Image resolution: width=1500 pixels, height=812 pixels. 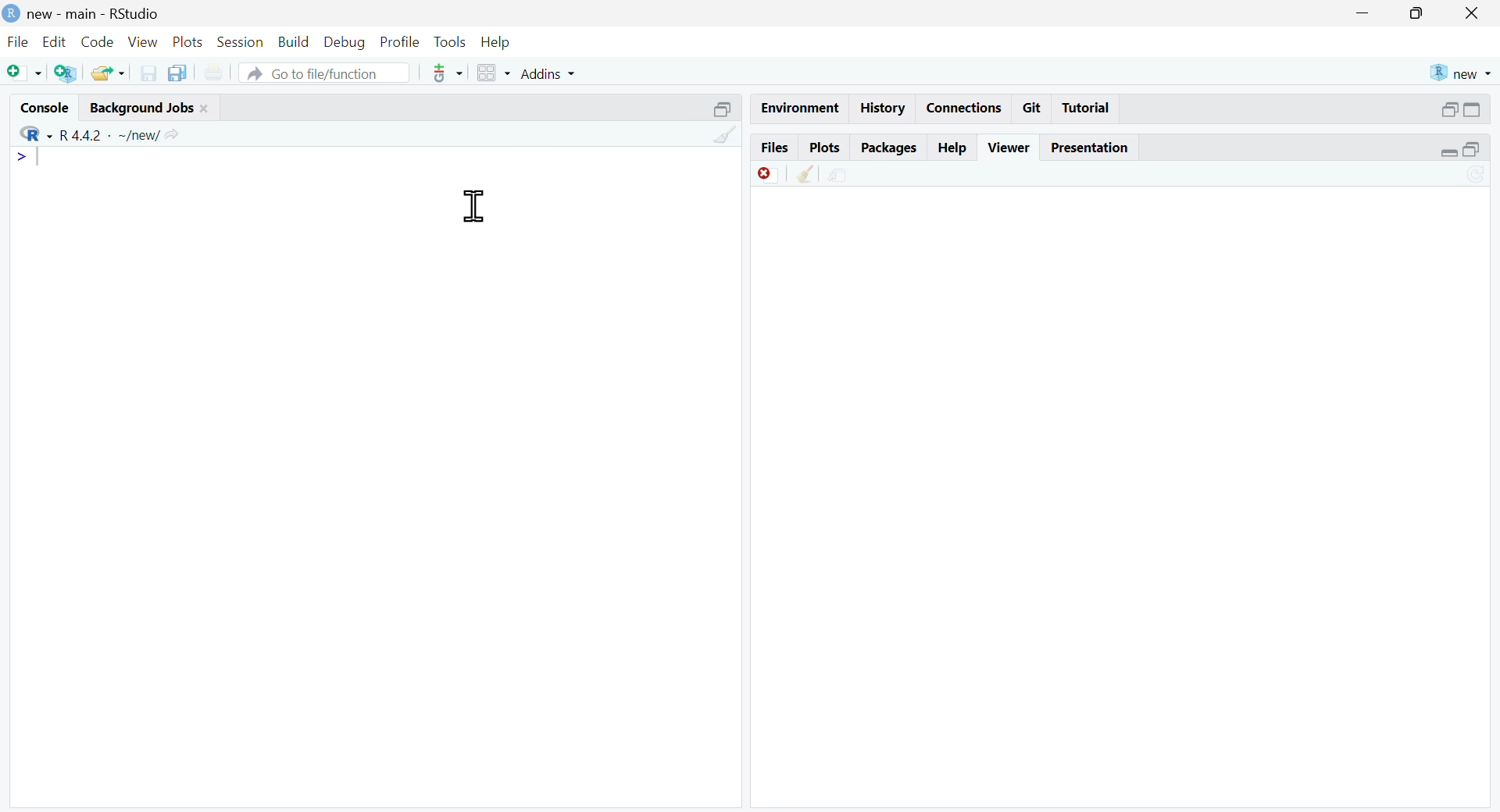 I want to click on Tutorial , so click(x=1087, y=108).